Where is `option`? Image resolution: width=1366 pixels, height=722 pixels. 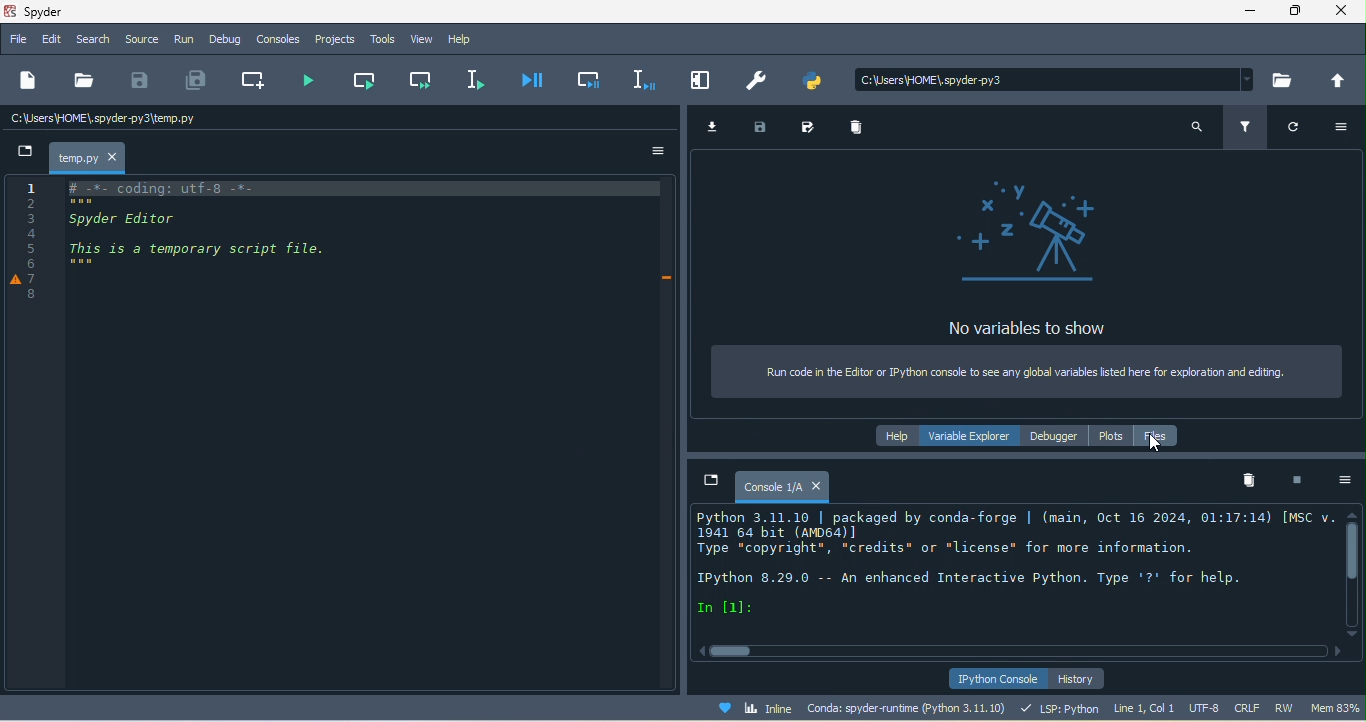
option is located at coordinates (656, 152).